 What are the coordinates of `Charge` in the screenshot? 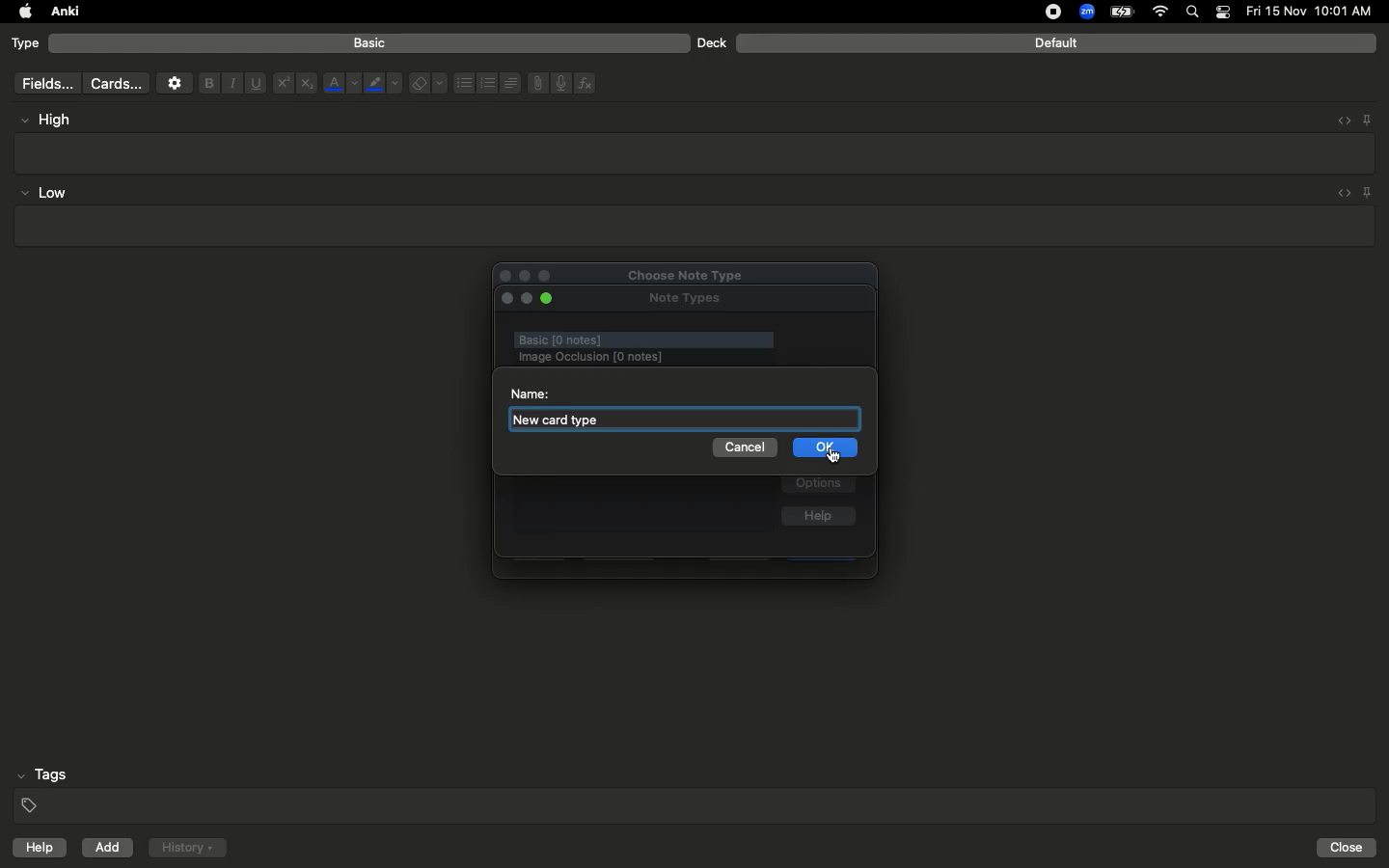 It's located at (1121, 12).